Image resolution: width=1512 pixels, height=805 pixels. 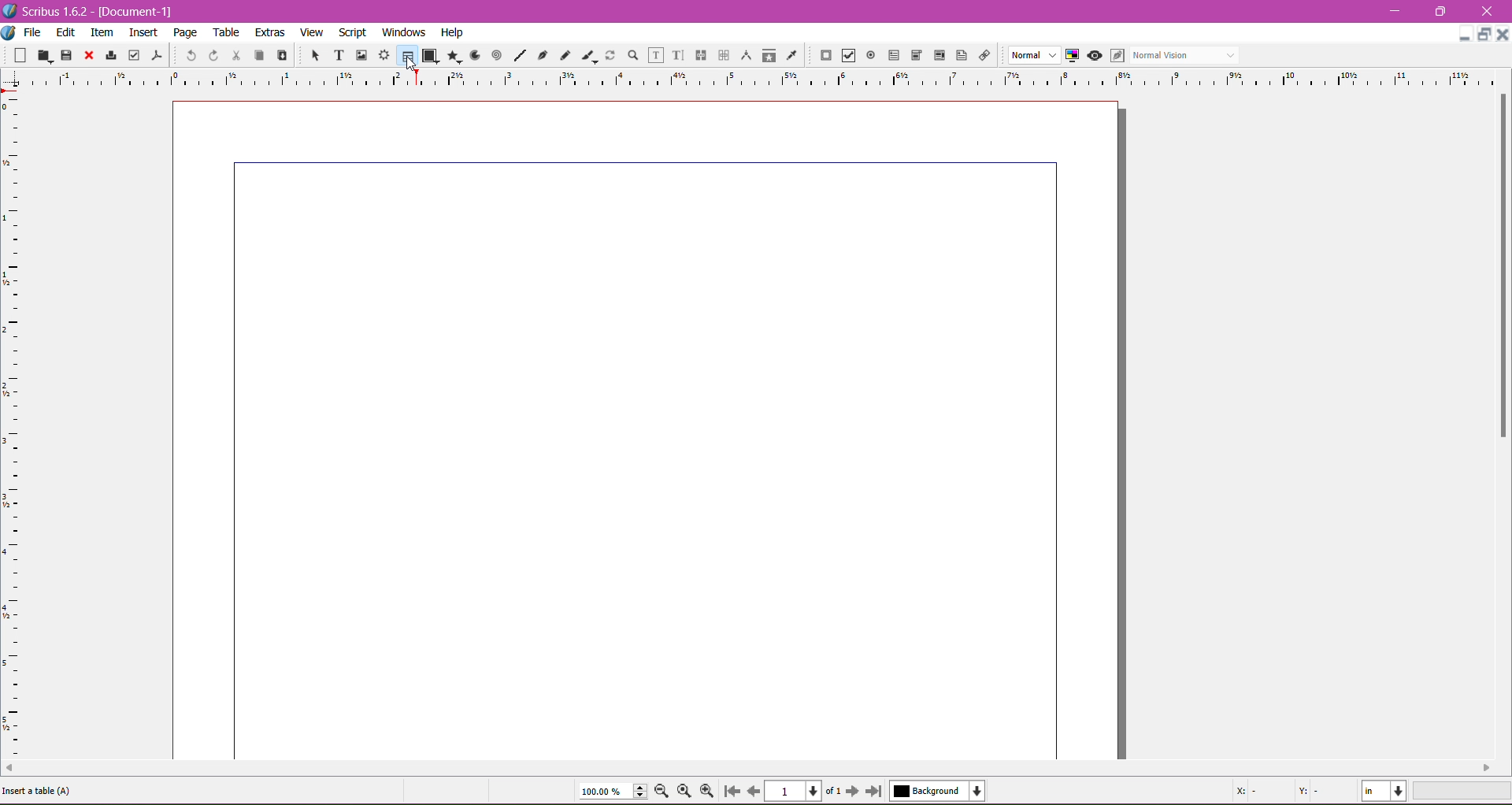 What do you see at coordinates (1488, 12) in the screenshot?
I see `Close` at bounding box center [1488, 12].